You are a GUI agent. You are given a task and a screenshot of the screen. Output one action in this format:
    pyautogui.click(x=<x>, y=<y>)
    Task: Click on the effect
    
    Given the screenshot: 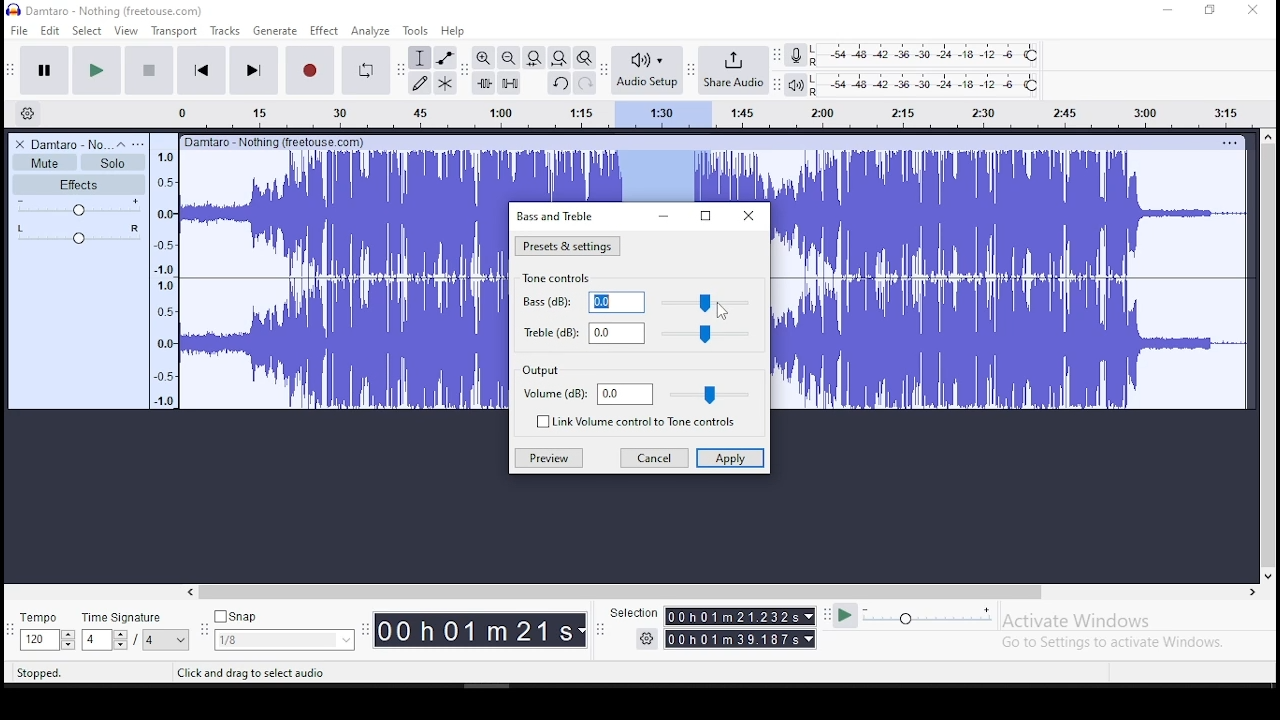 What is the action you would take?
    pyautogui.click(x=323, y=32)
    